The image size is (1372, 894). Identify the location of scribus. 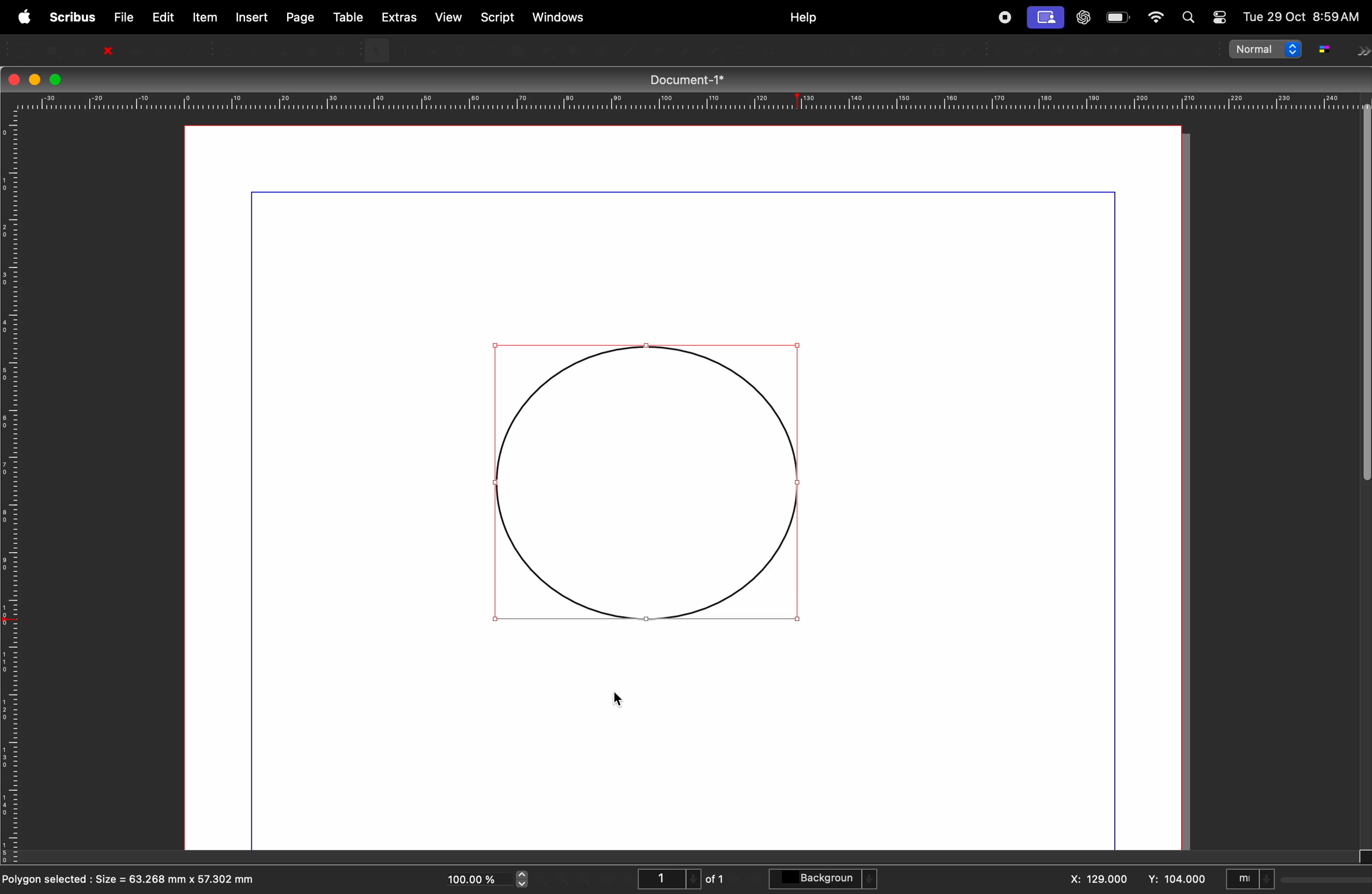
(70, 17).